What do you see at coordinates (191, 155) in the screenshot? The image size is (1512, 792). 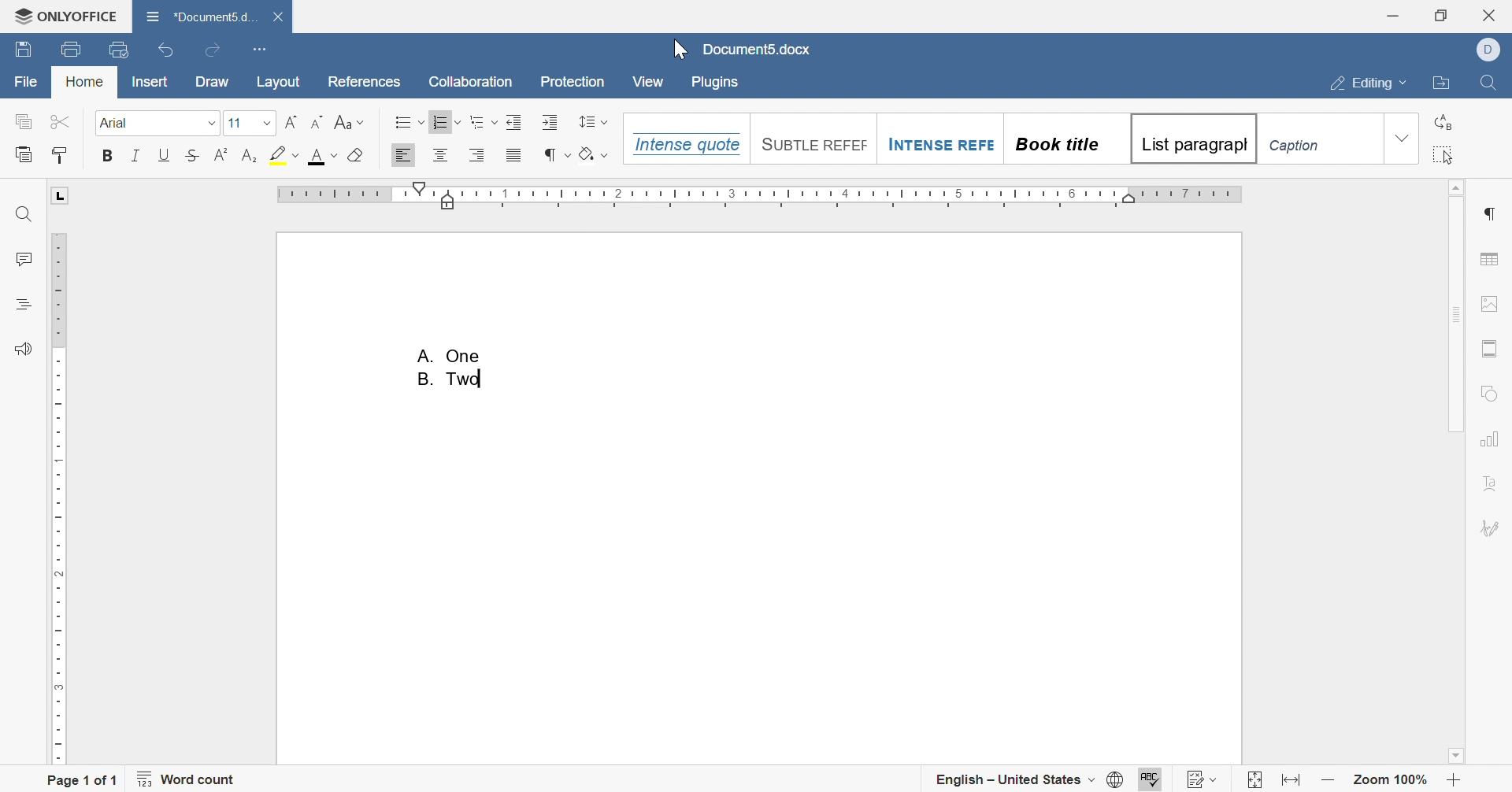 I see `strikethrough` at bounding box center [191, 155].